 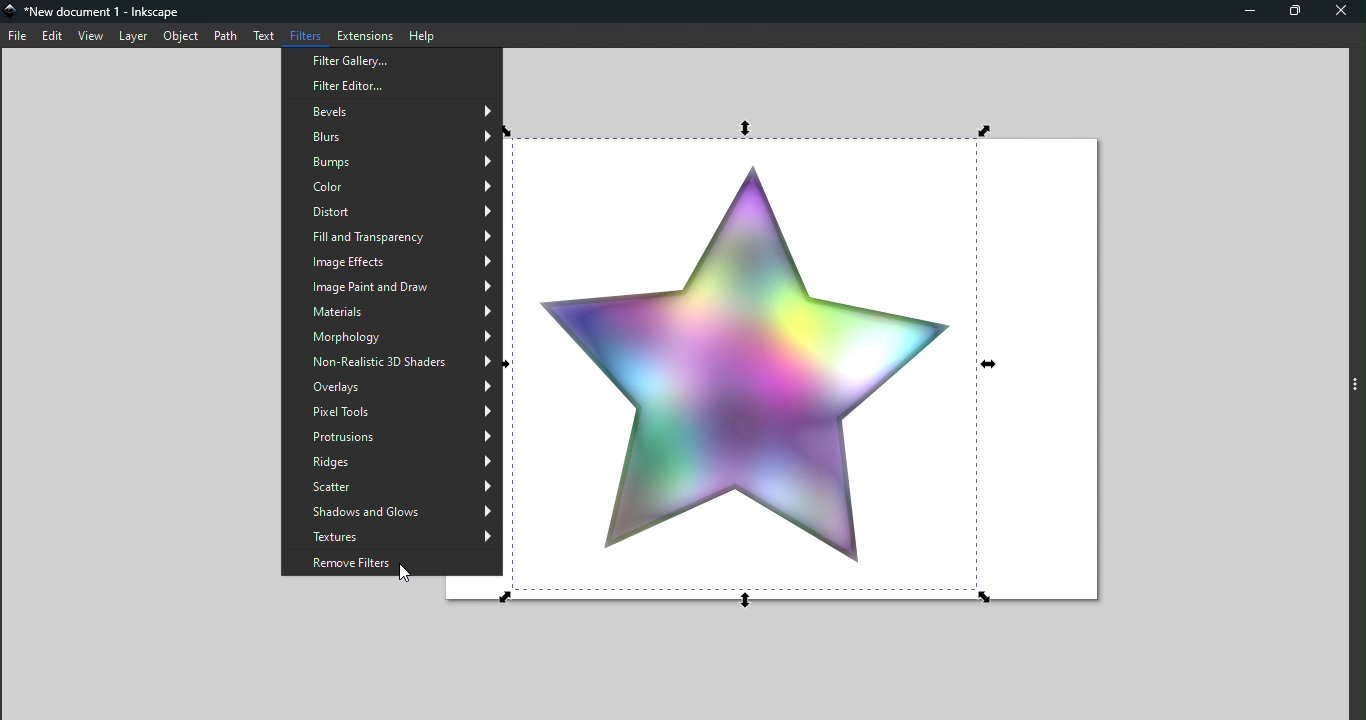 I want to click on Bevels, so click(x=392, y=114).